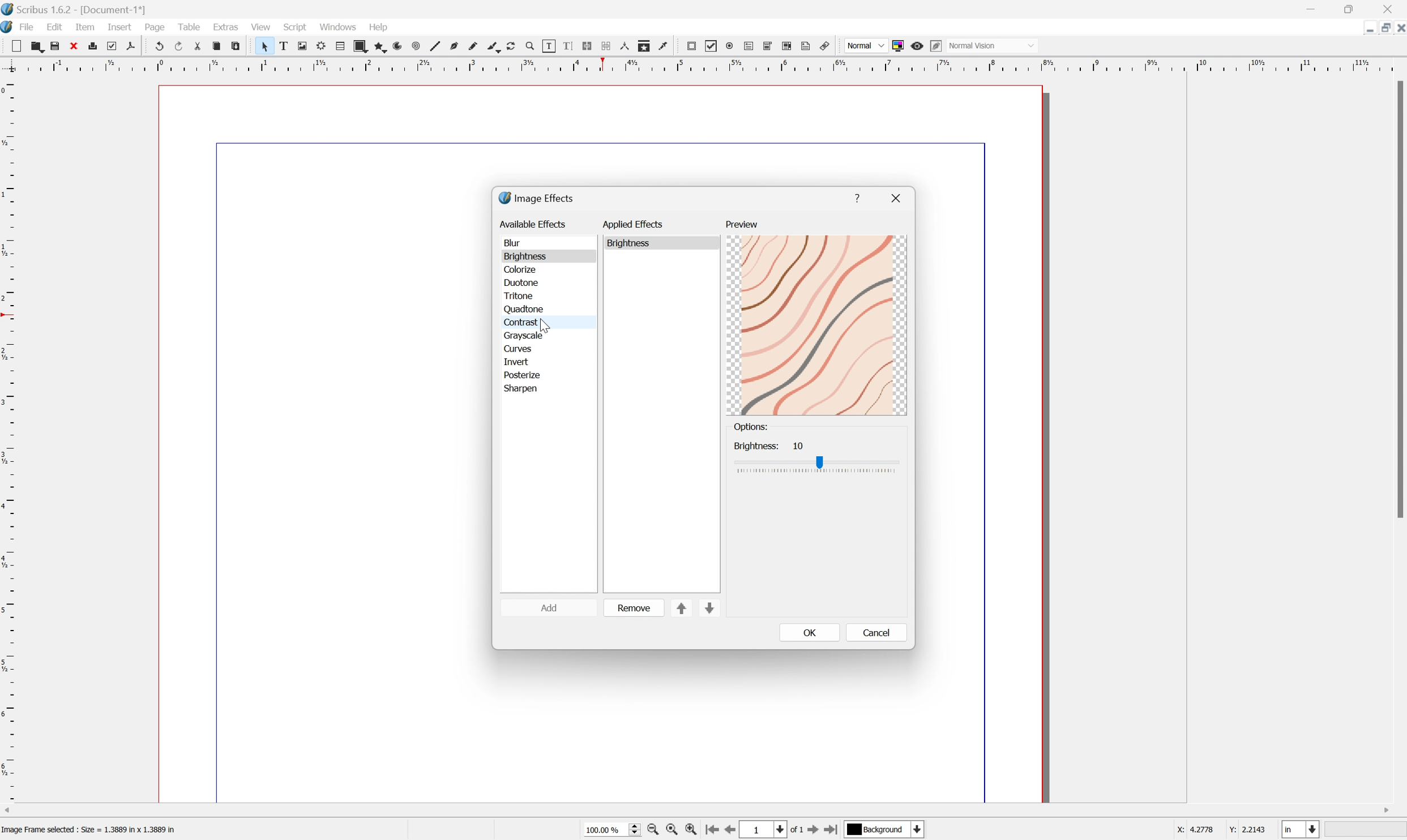 This screenshot has width=1407, height=840. Describe the element at coordinates (337, 25) in the screenshot. I see `Windows` at that location.